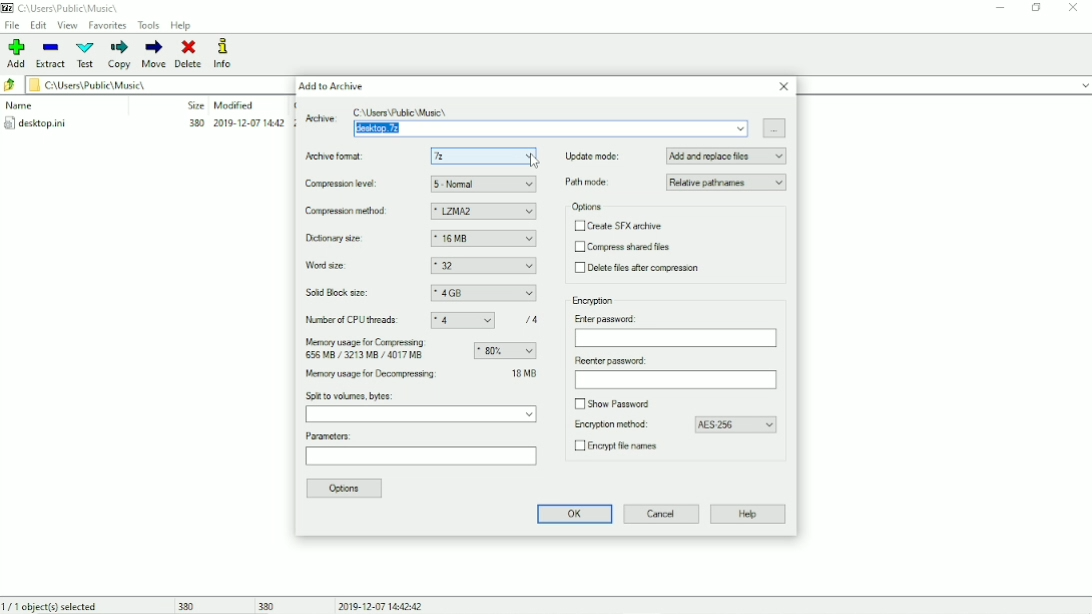 The width and height of the screenshot is (1092, 614). Describe the element at coordinates (612, 402) in the screenshot. I see `Show password` at that location.